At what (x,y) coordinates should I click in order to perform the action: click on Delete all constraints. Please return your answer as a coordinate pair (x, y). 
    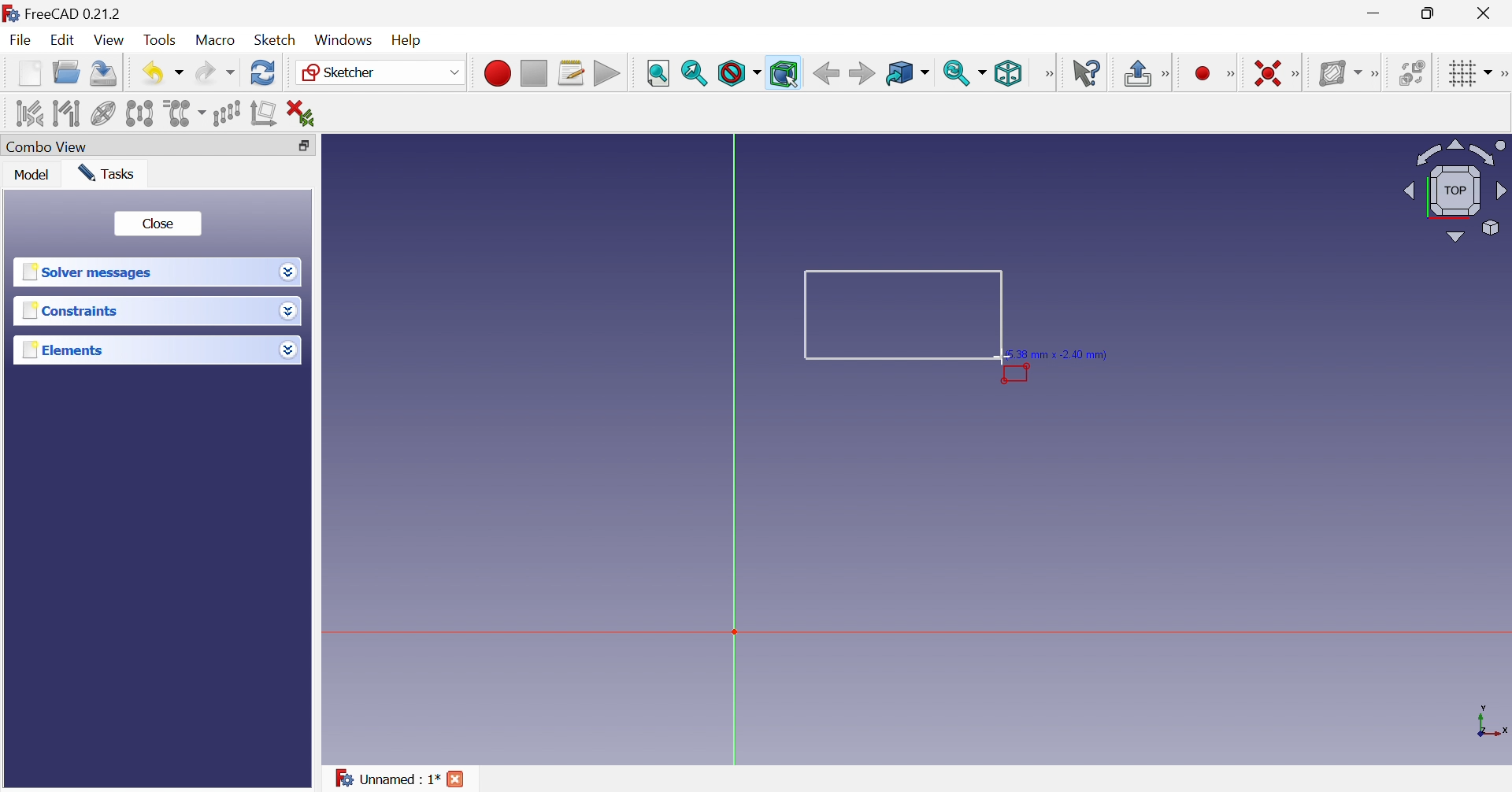
    Looking at the image, I should click on (301, 113).